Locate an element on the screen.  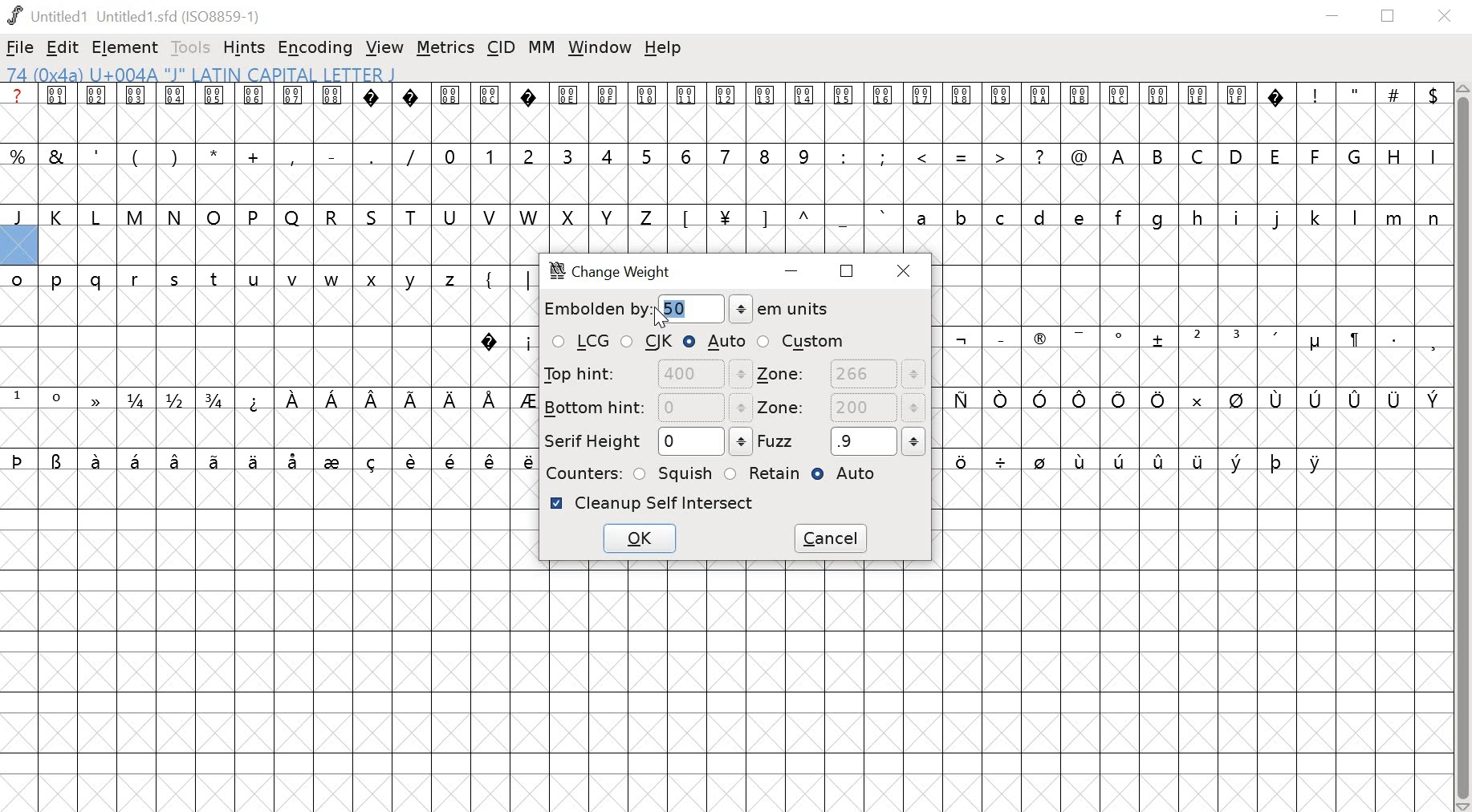
OK is located at coordinates (638, 541).